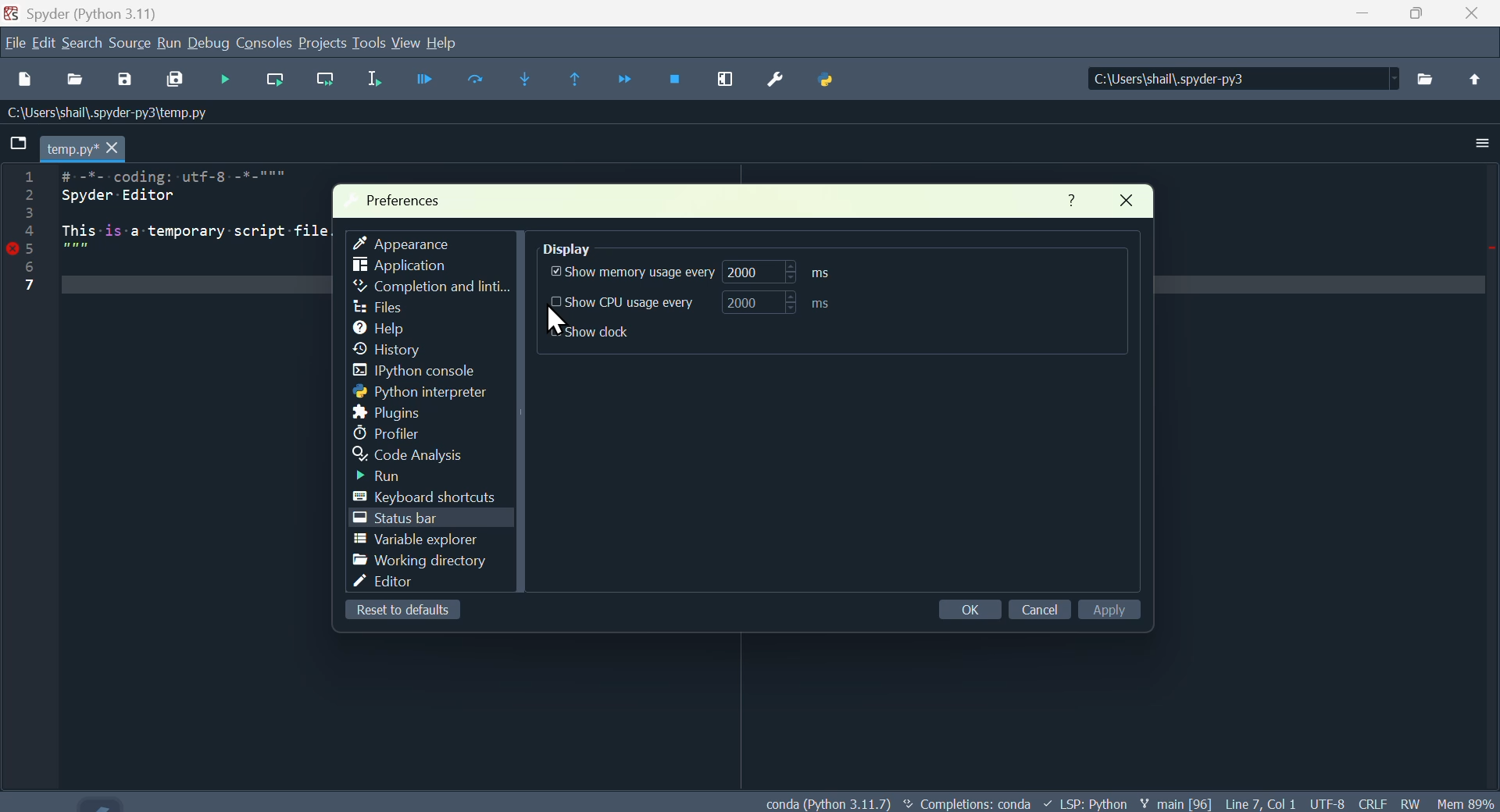  I want to click on Run selection, so click(376, 82).